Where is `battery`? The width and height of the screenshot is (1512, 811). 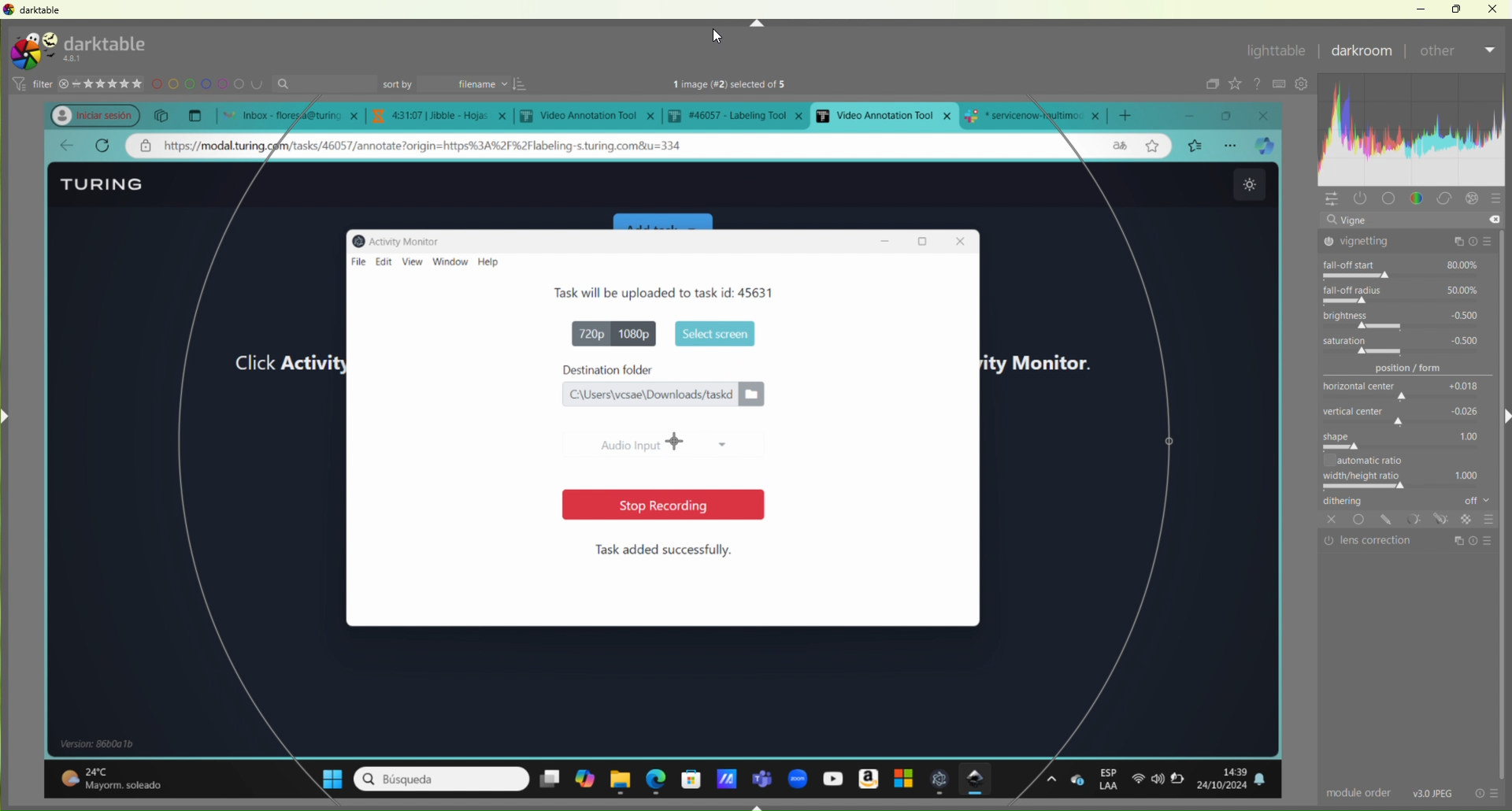
battery is located at coordinates (1183, 783).